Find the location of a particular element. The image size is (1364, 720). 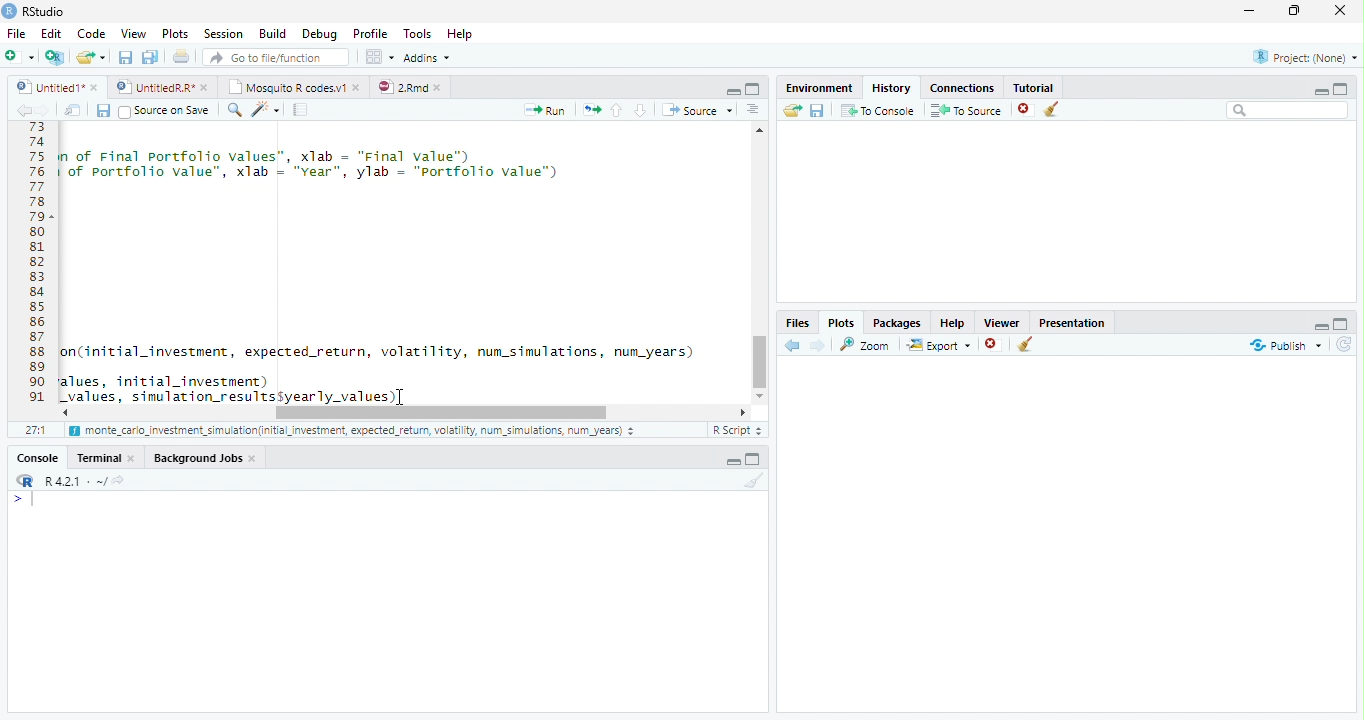

Code is located at coordinates (402, 264).